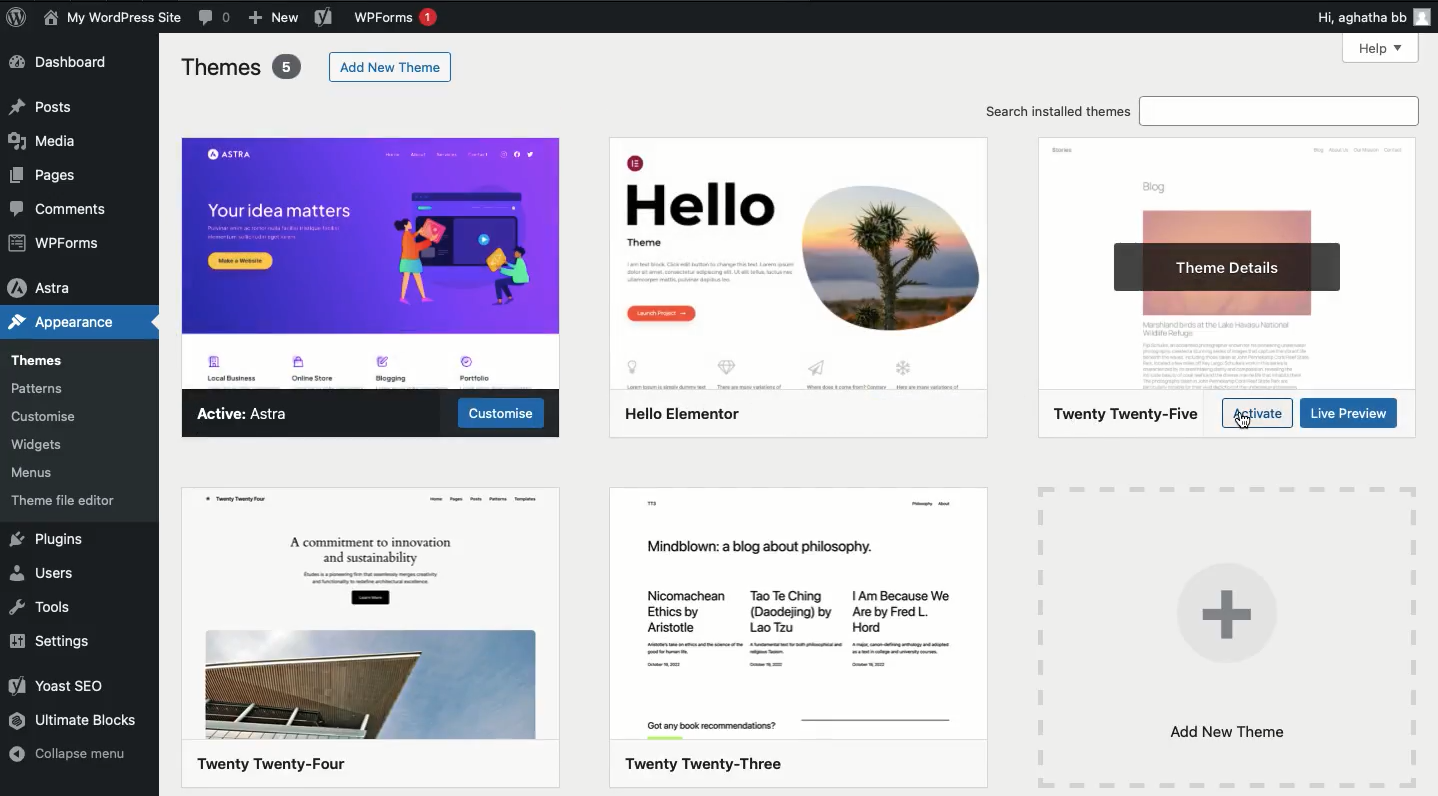 The width and height of the screenshot is (1438, 796). I want to click on Widgets, so click(37, 445).